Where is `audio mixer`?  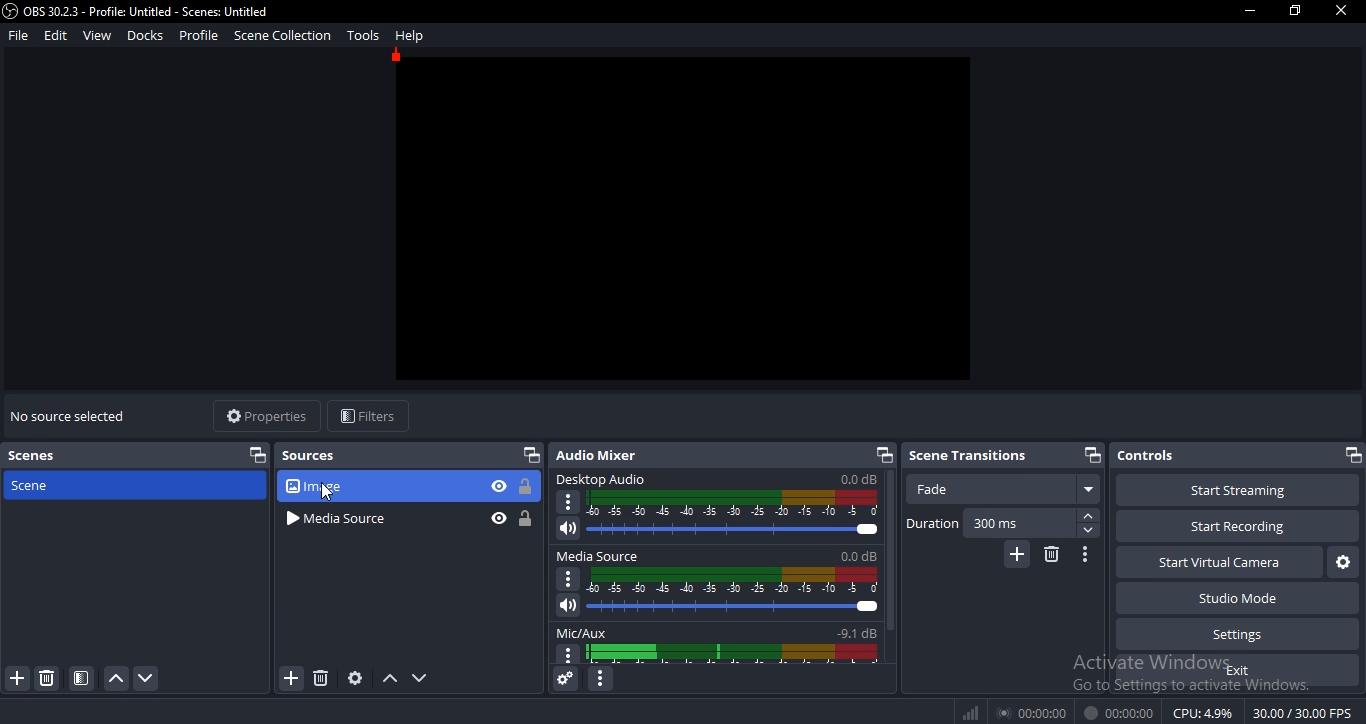 audio mixer is located at coordinates (598, 456).